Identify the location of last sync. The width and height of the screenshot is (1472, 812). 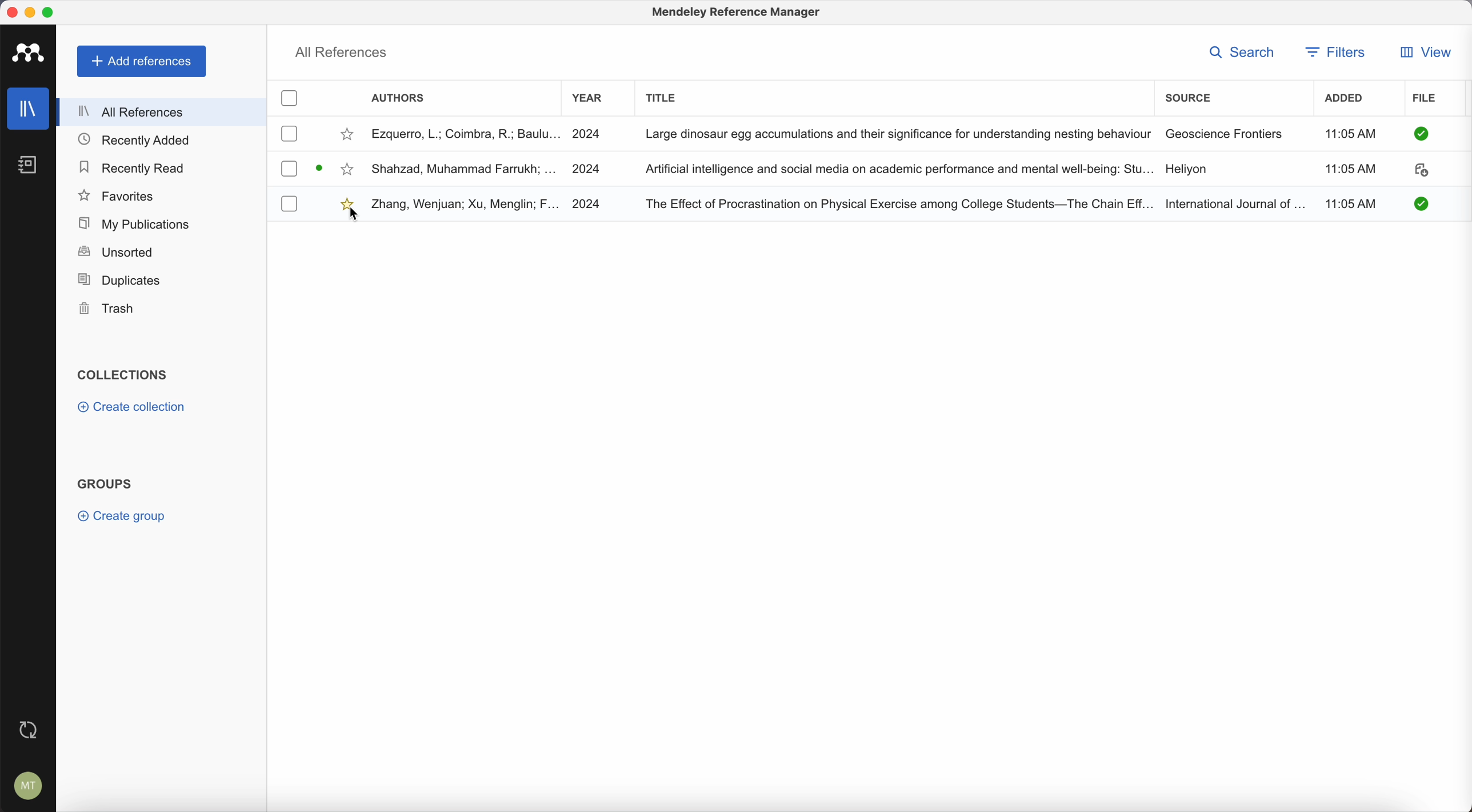
(29, 727).